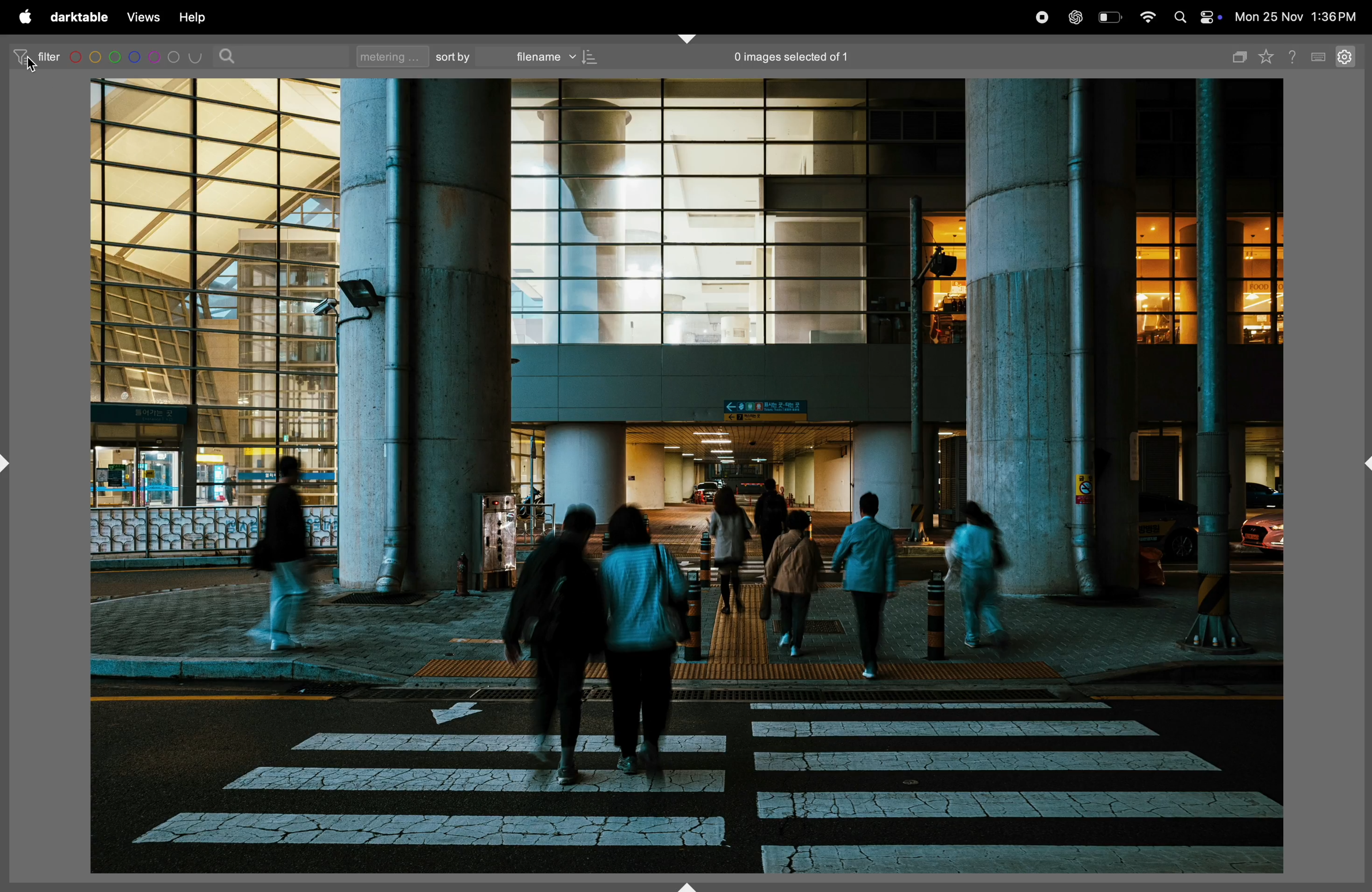 The width and height of the screenshot is (1372, 892). Describe the element at coordinates (1181, 17) in the screenshot. I see `spotlight search` at that location.